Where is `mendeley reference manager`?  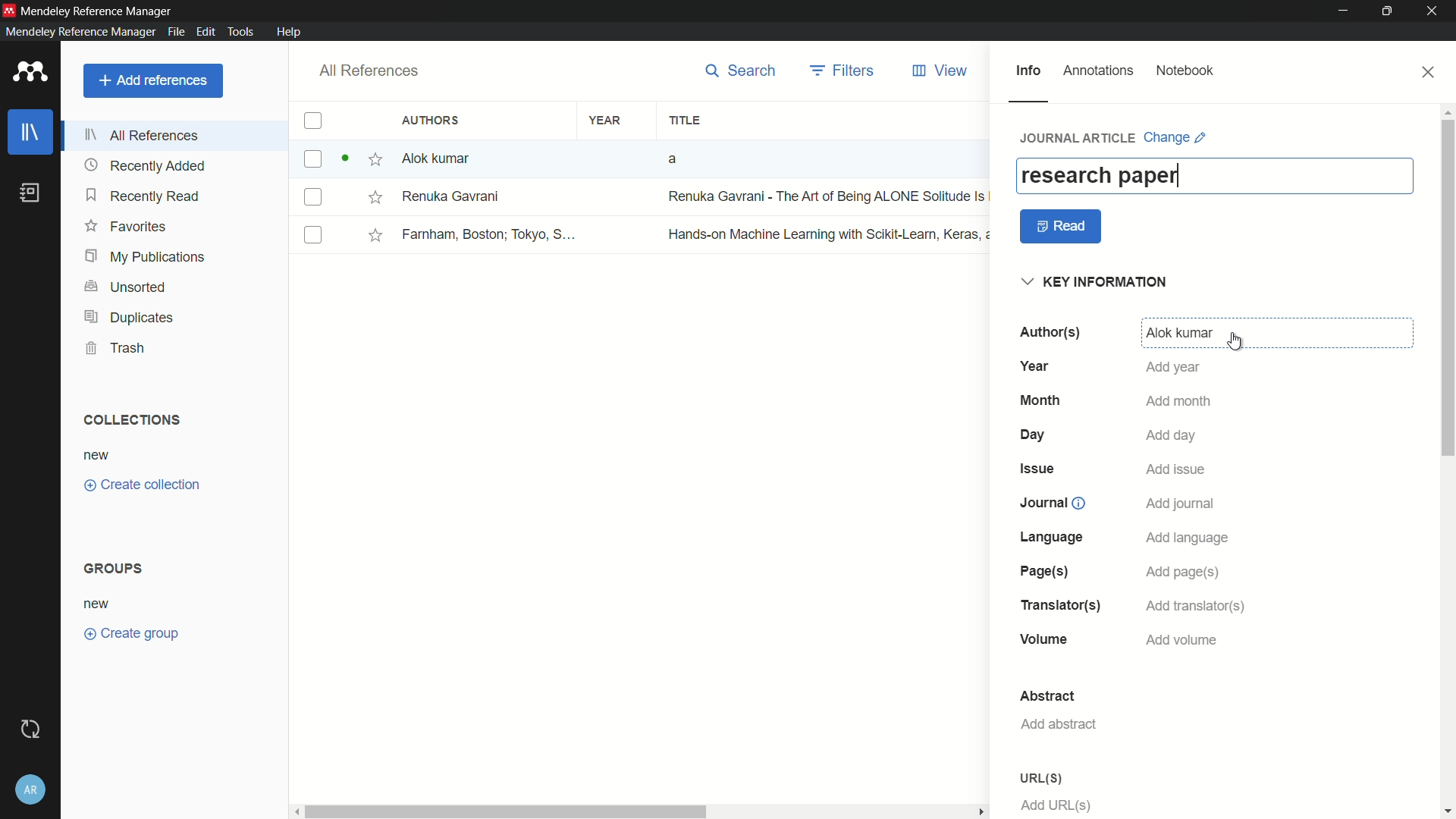
mendeley reference manager is located at coordinates (80, 31).